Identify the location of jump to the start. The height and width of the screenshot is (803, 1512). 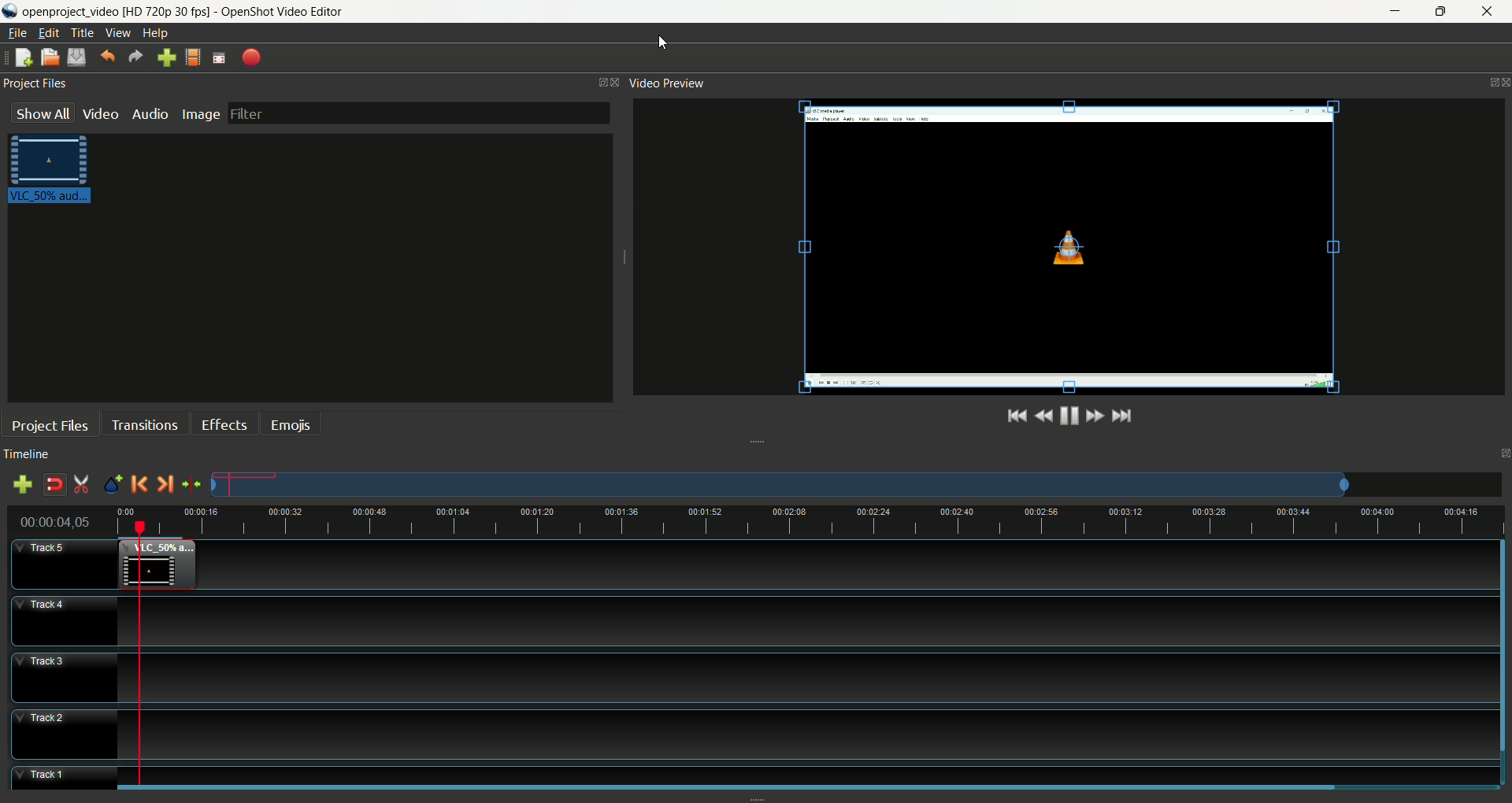
(1017, 415).